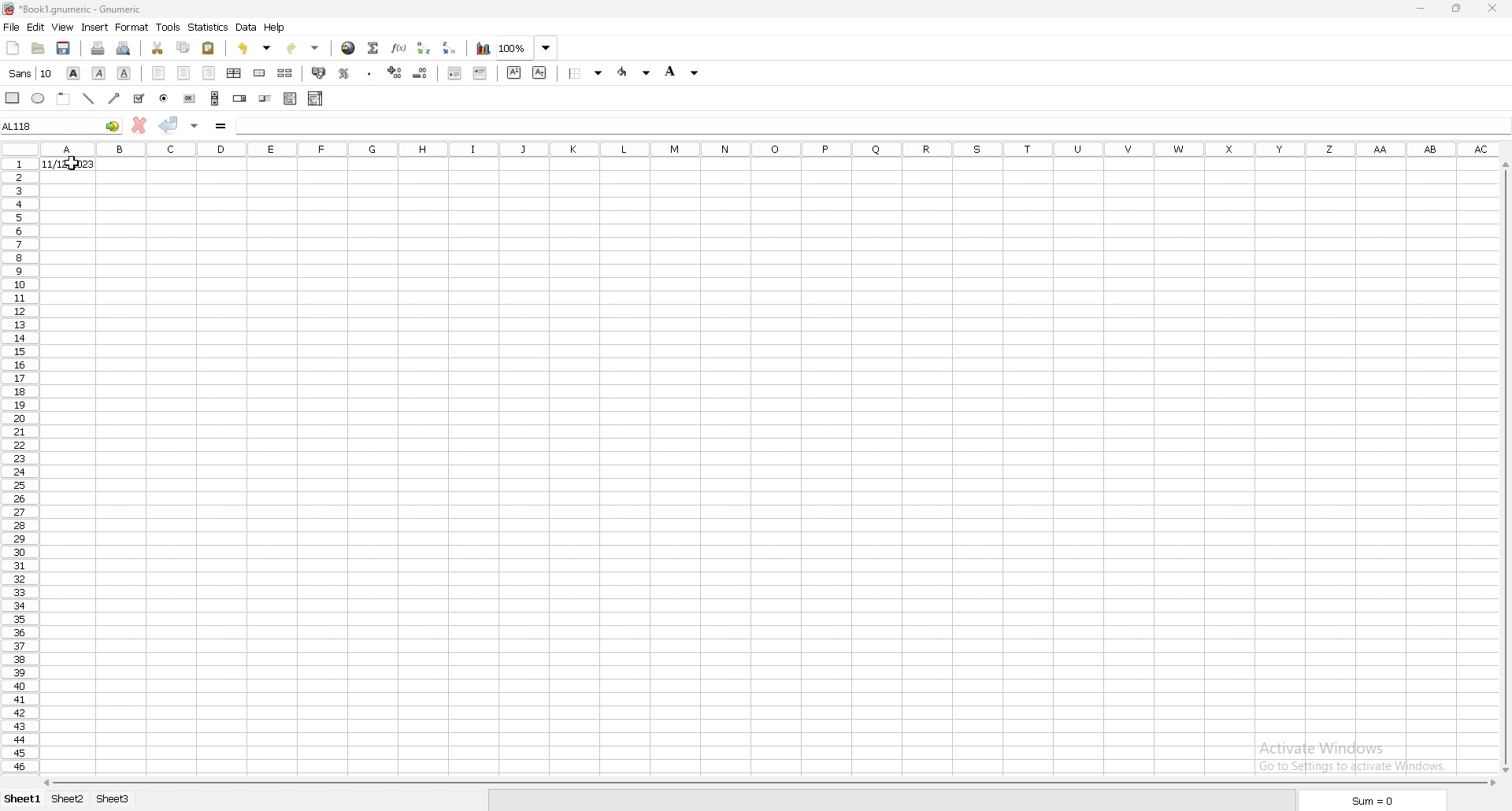  What do you see at coordinates (424, 47) in the screenshot?
I see `sort ascending` at bounding box center [424, 47].